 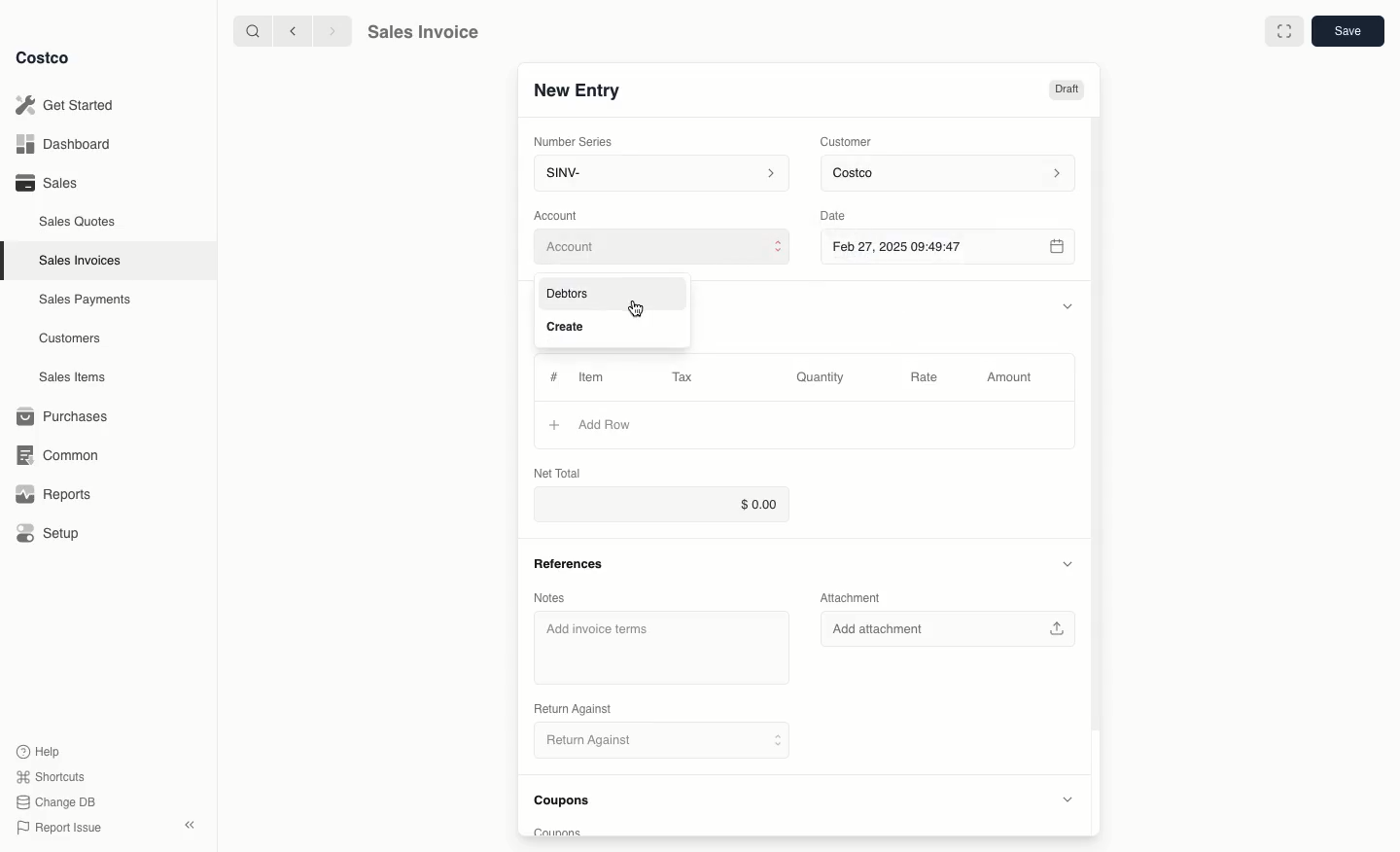 What do you see at coordinates (553, 424) in the screenshot?
I see `Add` at bounding box center [553, 424].